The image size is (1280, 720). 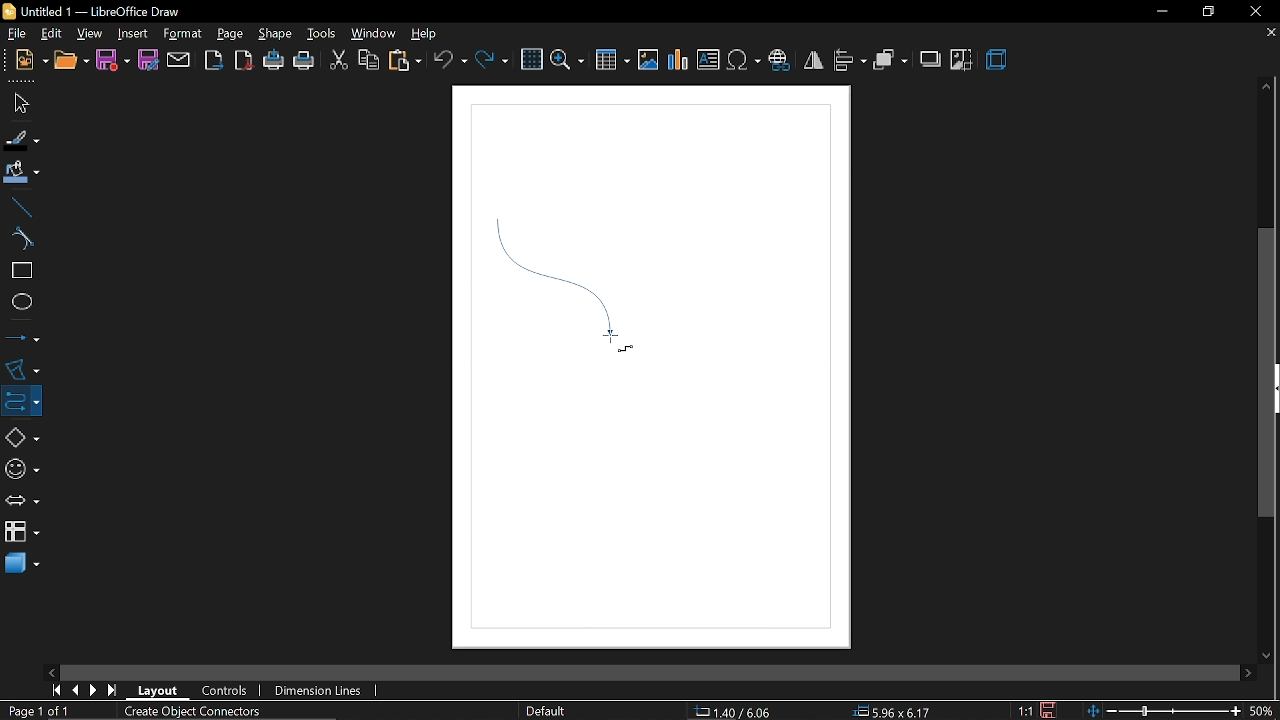 I want to click on edit, so click(x=50, y=33).